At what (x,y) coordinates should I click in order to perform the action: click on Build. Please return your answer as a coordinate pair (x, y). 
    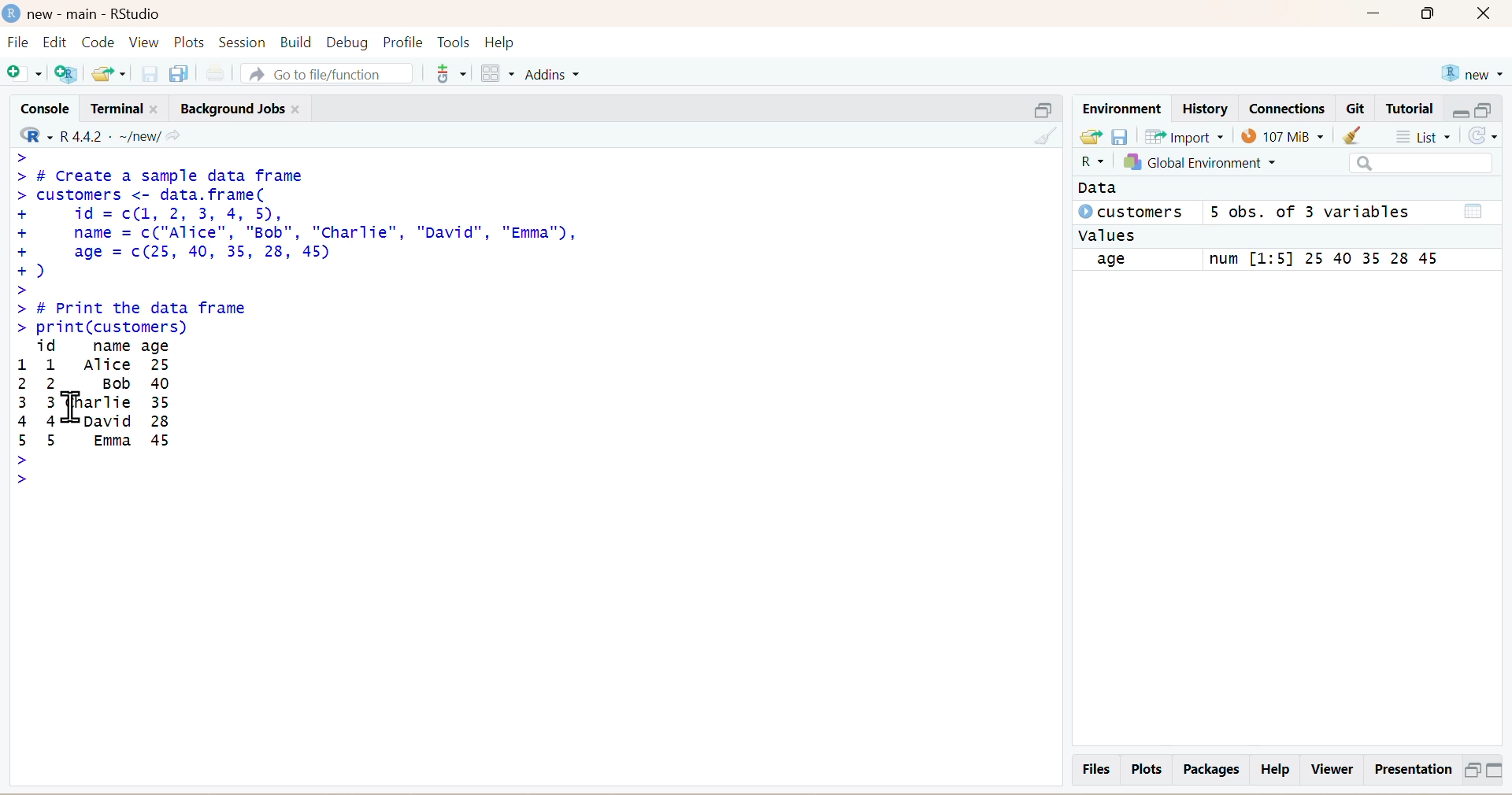
    Looking at the image, I should click on (292, 42).